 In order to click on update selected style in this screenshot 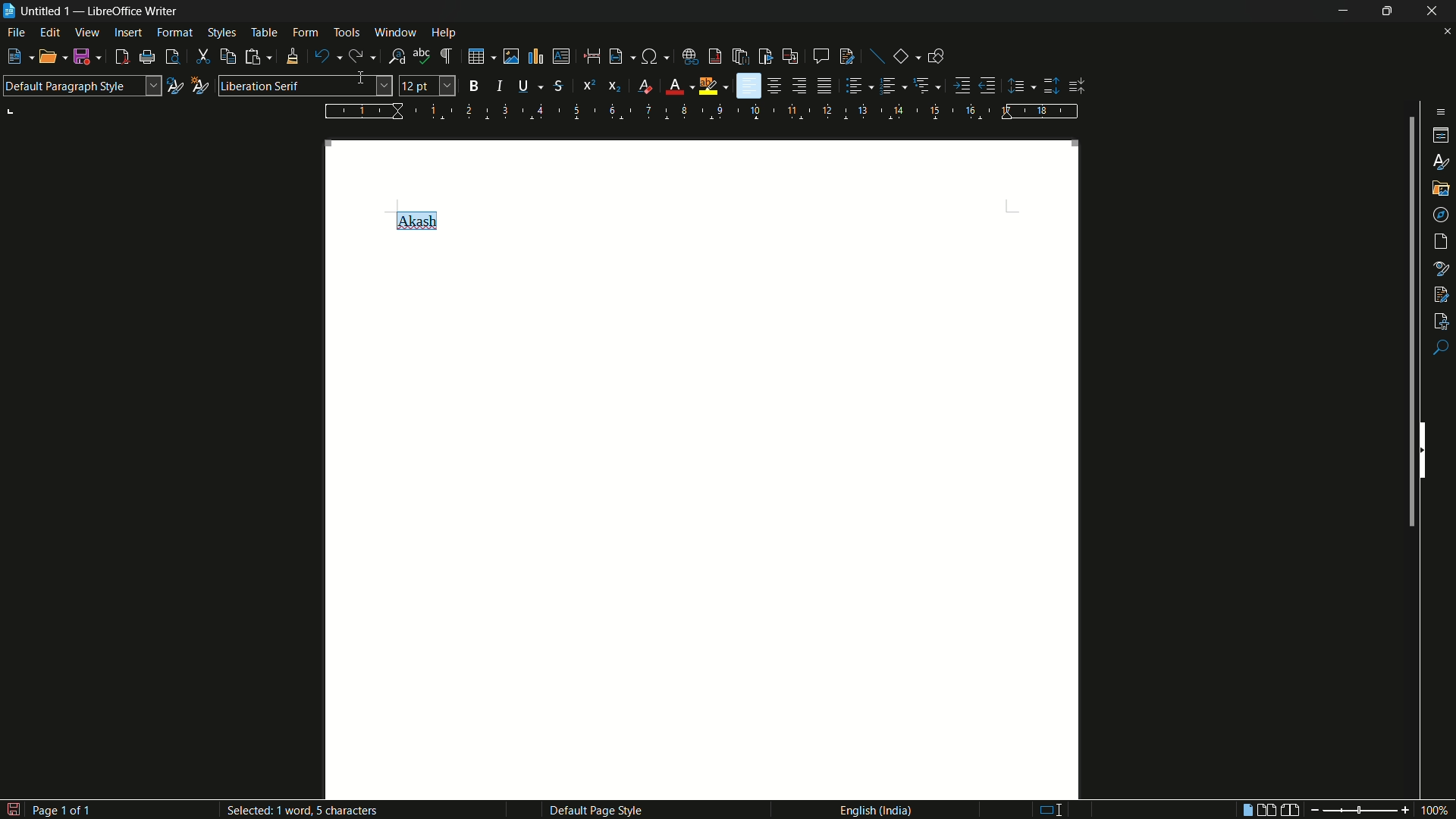, I will do `click(174, 86)`.